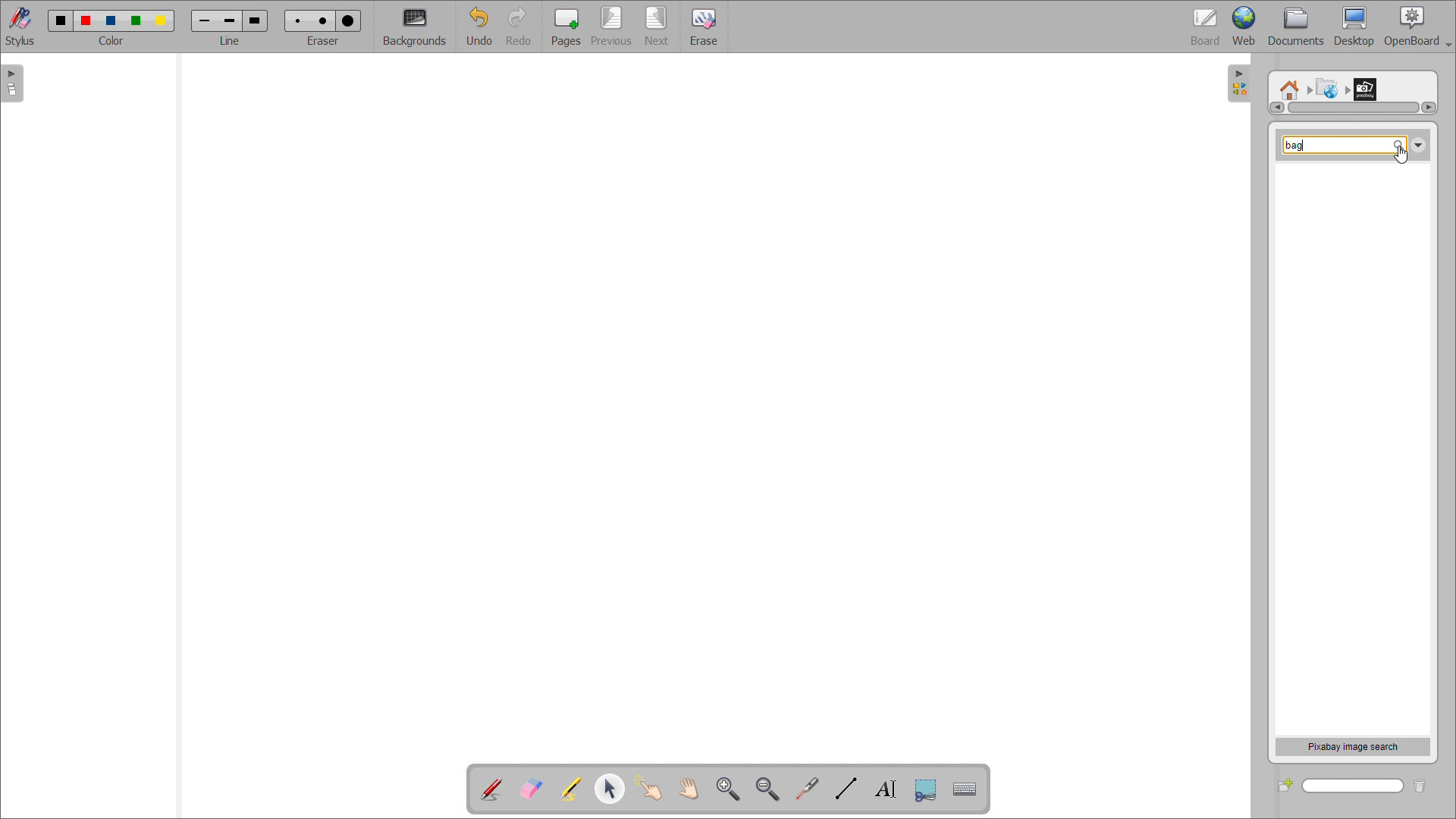 This screenshot has height=819, width=1456. I want to click on Root, so click(1290, 84).